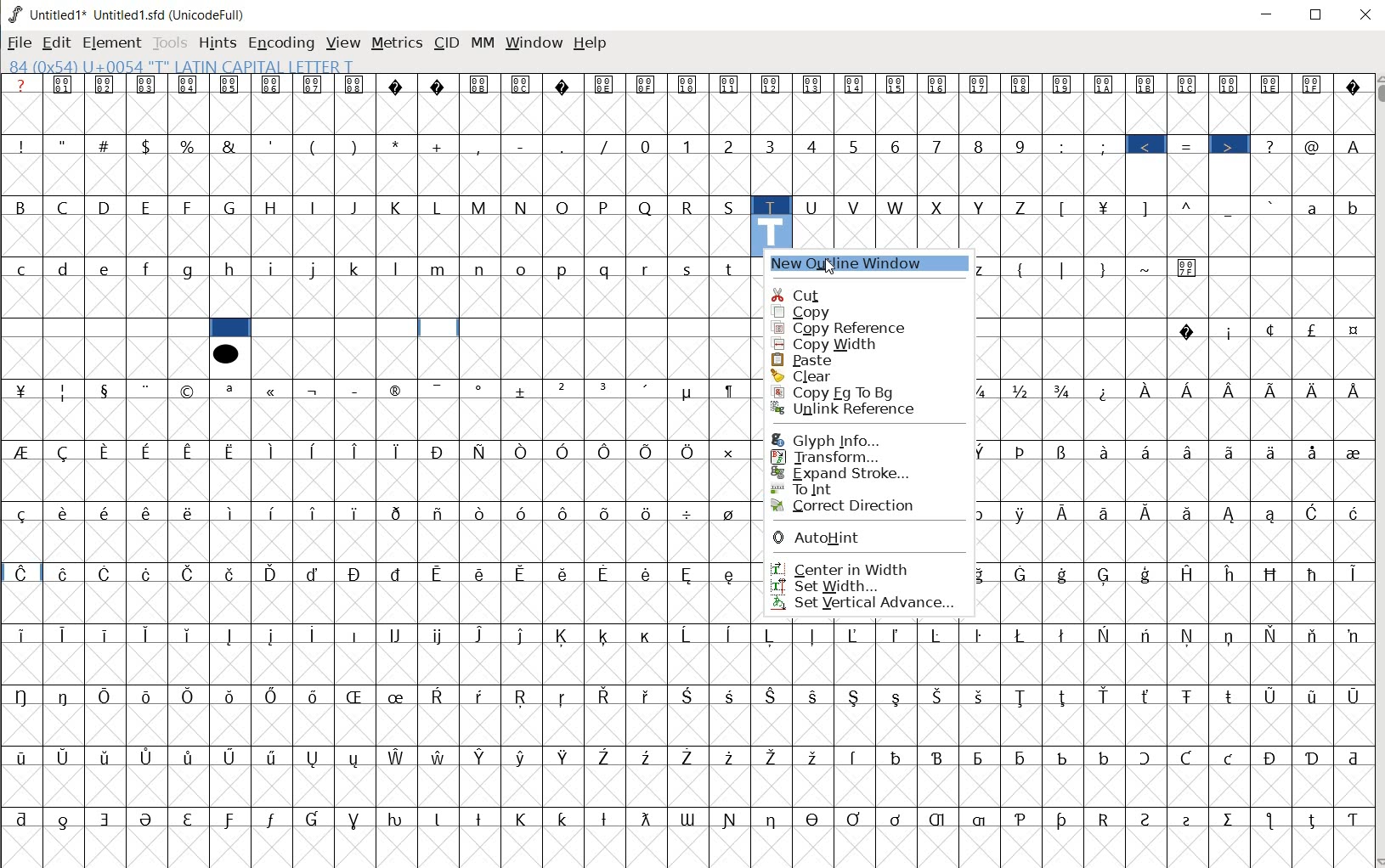 The width and height of the screenshot is (1385, 868). I want to click on new outline window, so click(867, 266).